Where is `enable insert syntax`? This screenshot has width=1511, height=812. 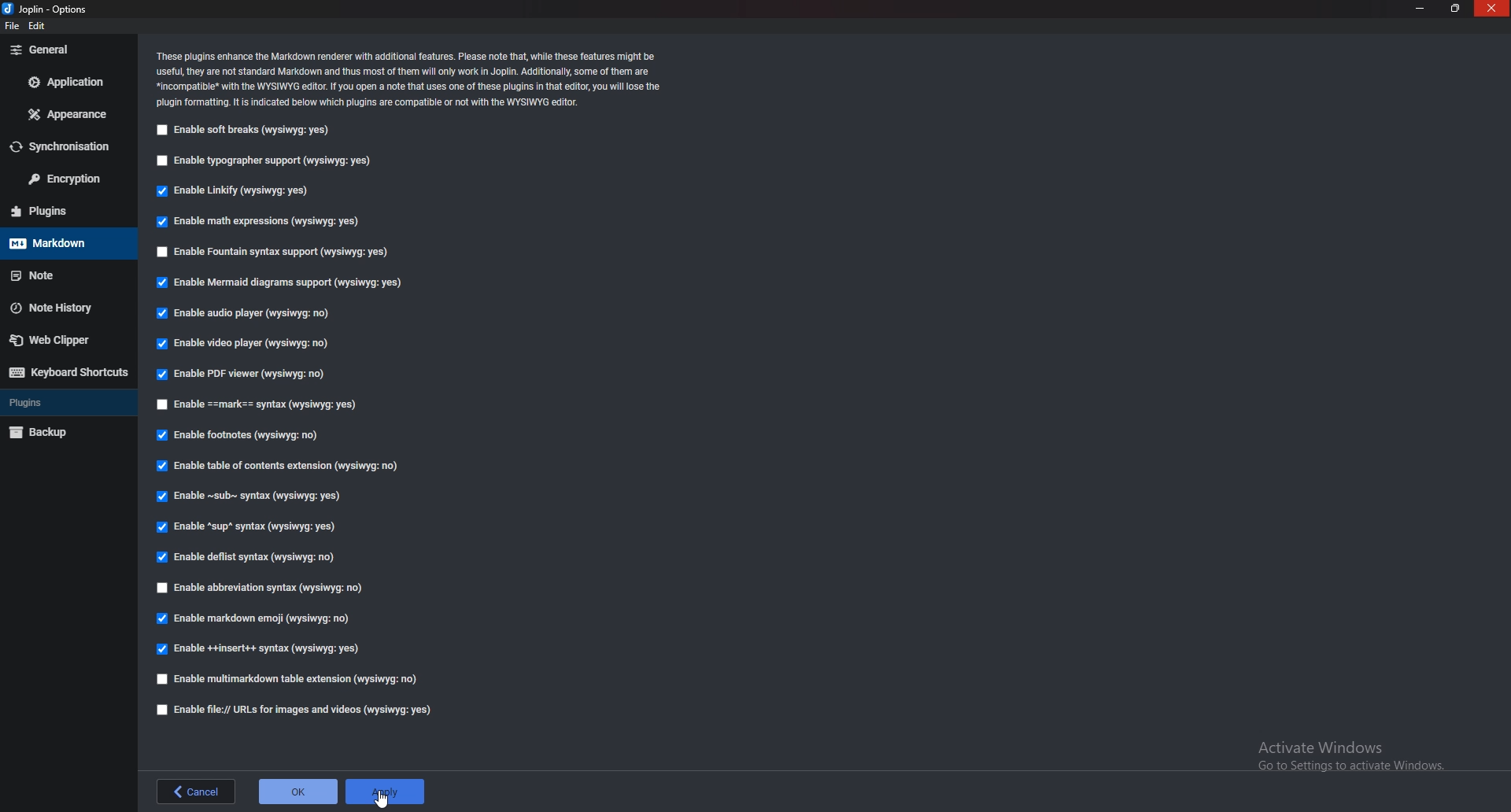
enable insert syntax is located at coordinates (258, 649).